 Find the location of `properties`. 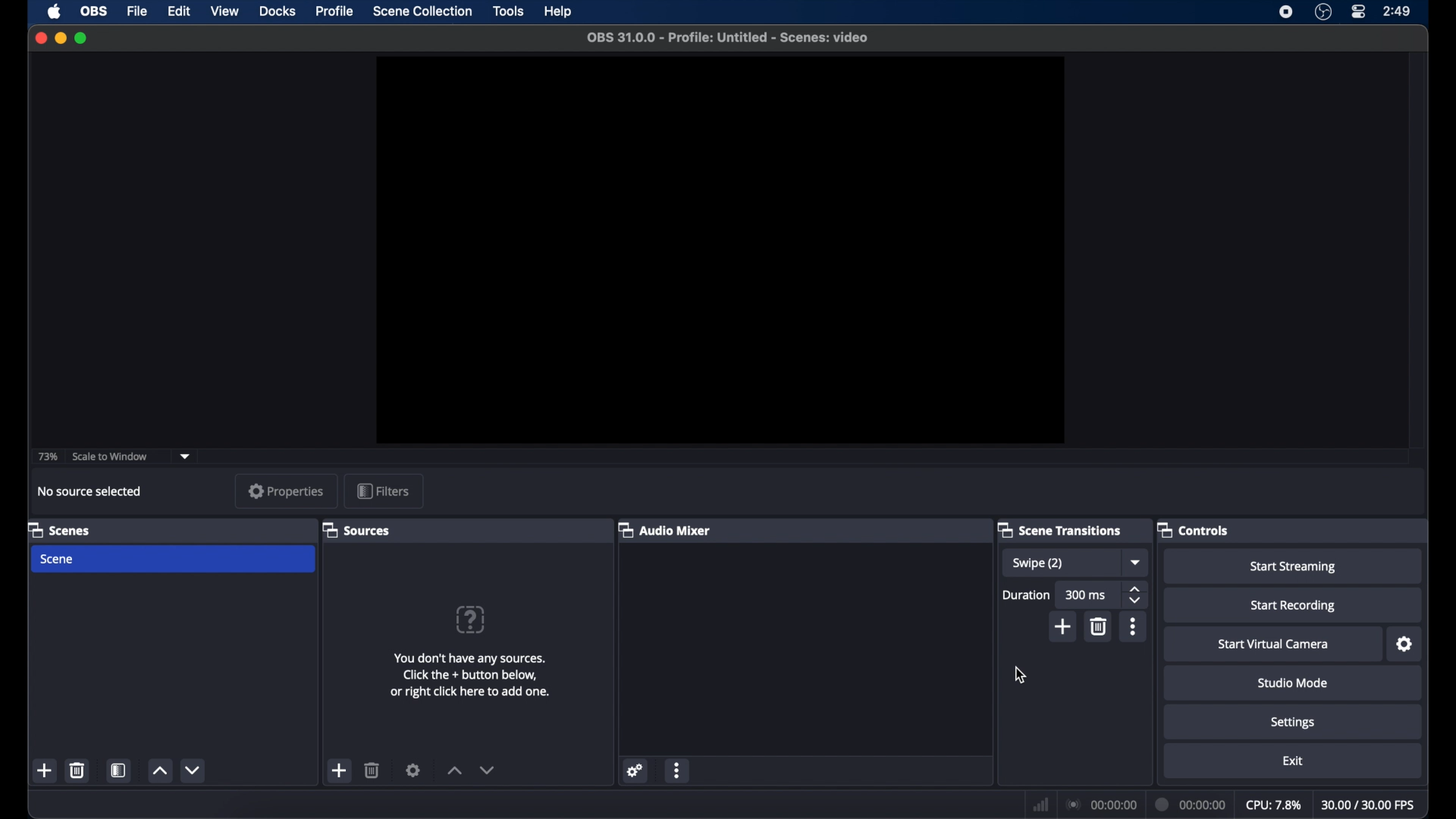

properties is located at coordinates (287, 491).